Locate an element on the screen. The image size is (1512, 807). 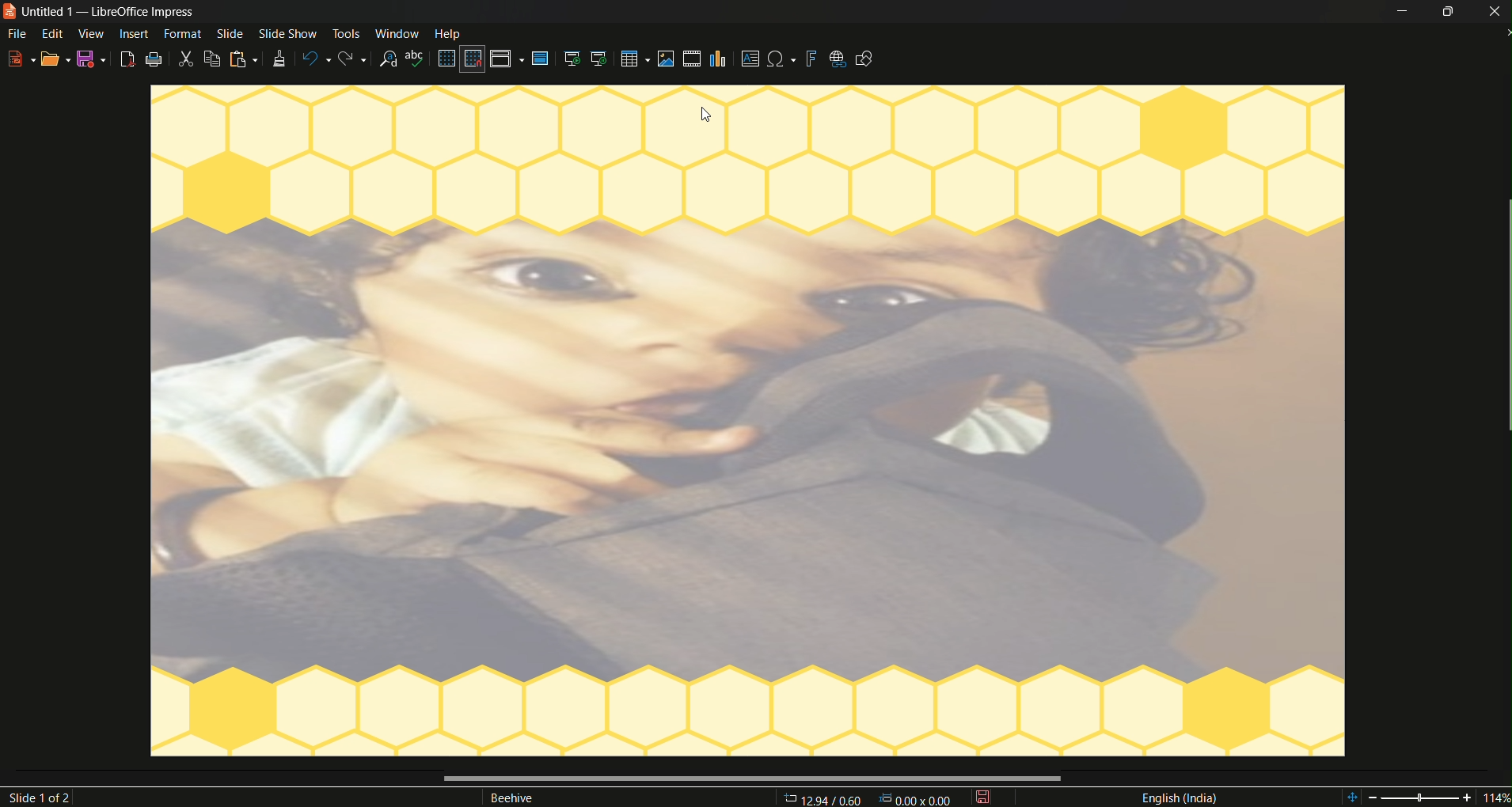
insert fontwork text is located at coordinates (812, 59).